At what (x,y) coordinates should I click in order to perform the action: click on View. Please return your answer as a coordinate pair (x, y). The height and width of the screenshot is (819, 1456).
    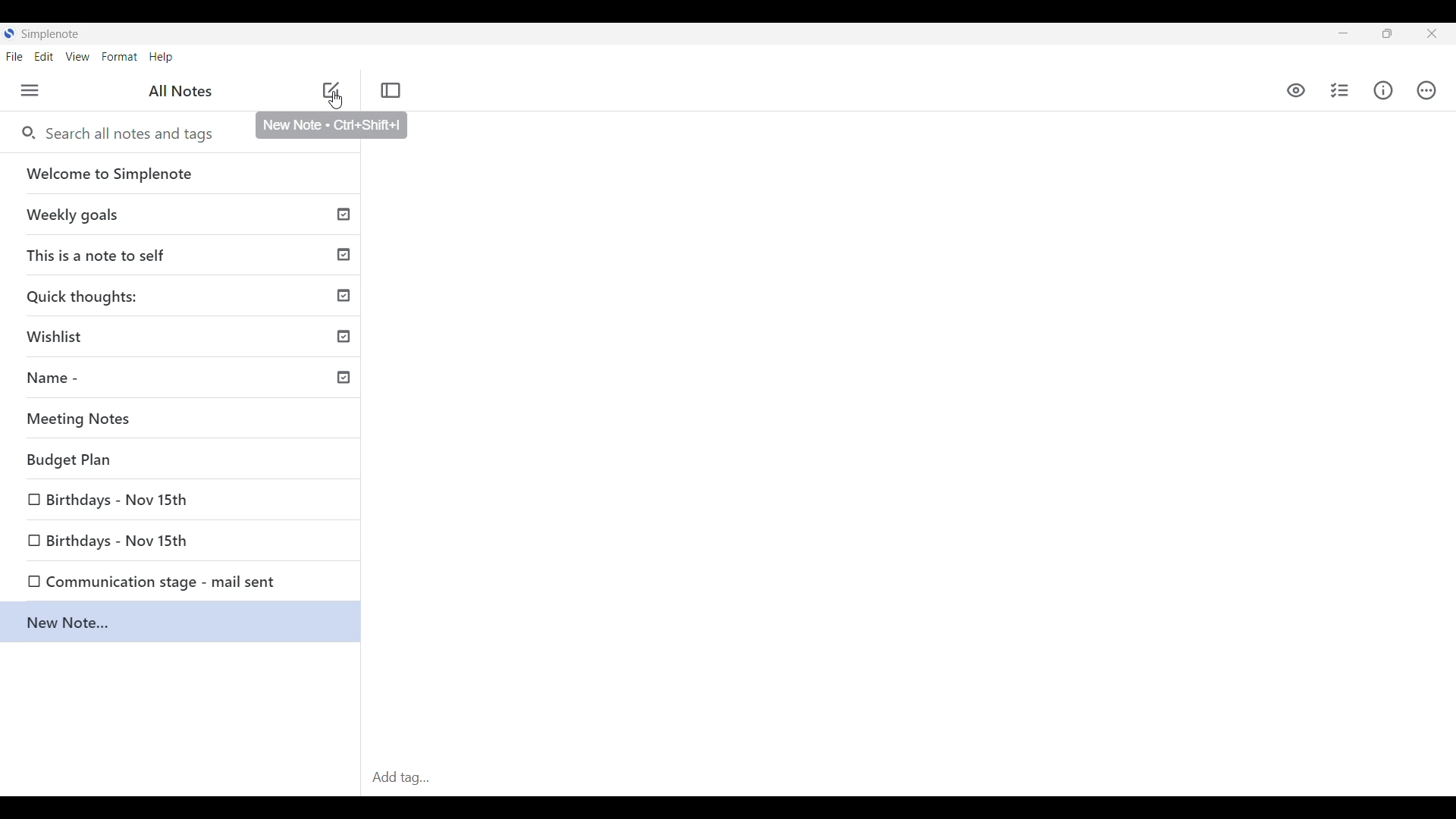
    Looking at the image, I should click on (77, 57).